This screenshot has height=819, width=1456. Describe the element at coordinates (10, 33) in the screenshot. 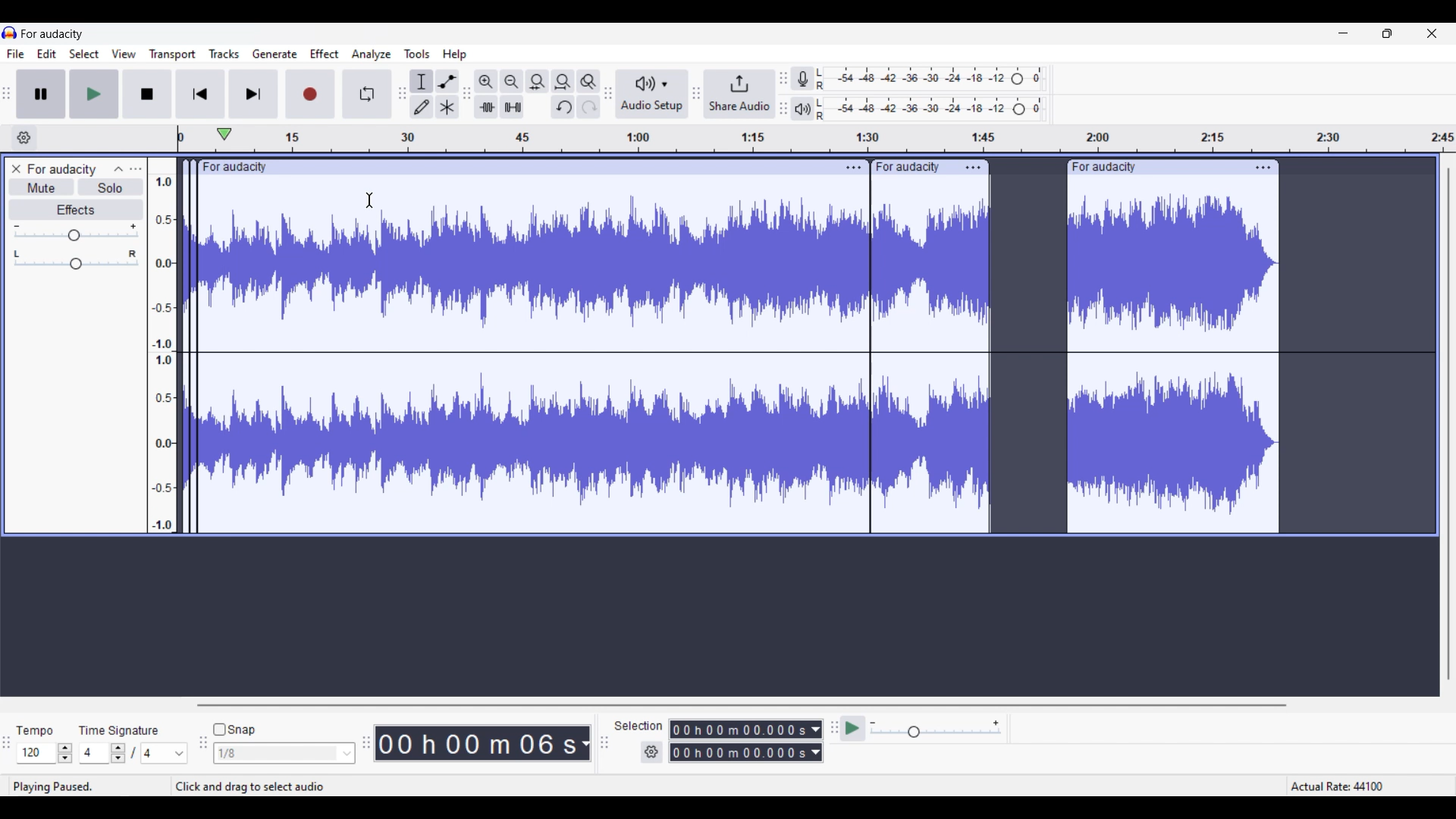

I see `Software logo` at that location.